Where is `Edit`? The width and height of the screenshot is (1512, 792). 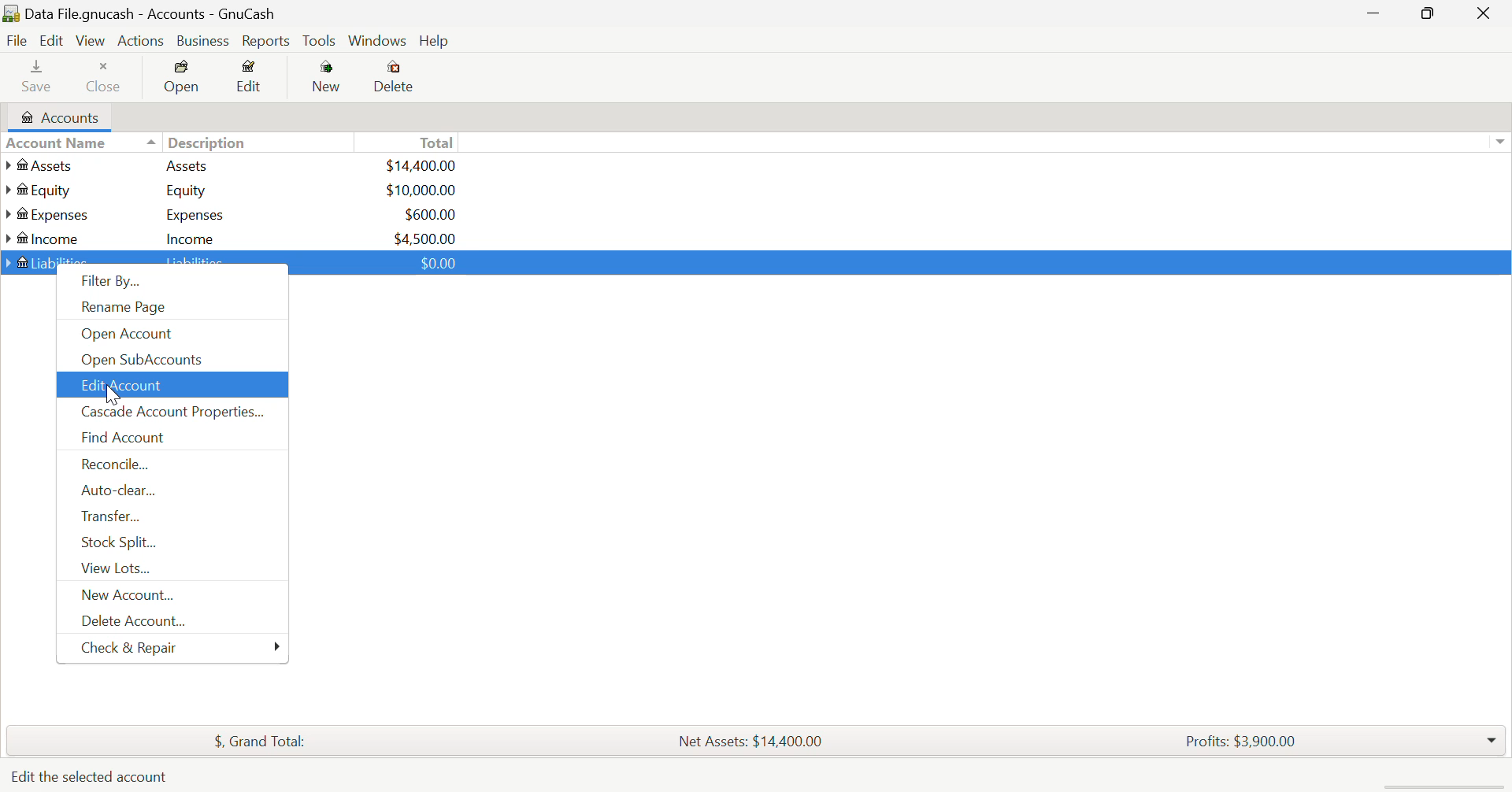
Edit is located at coordinates (50, 41).